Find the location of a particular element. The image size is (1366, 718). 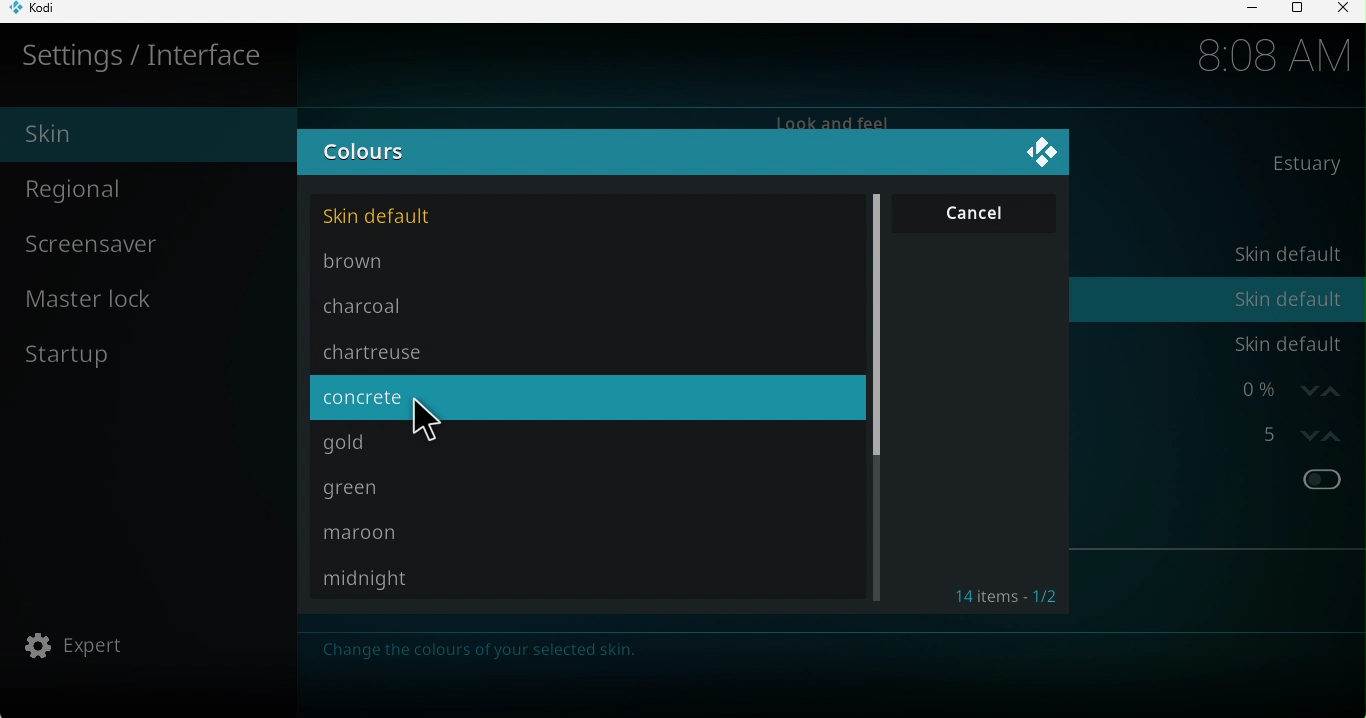

cursor is located at coordinates (423, 421).